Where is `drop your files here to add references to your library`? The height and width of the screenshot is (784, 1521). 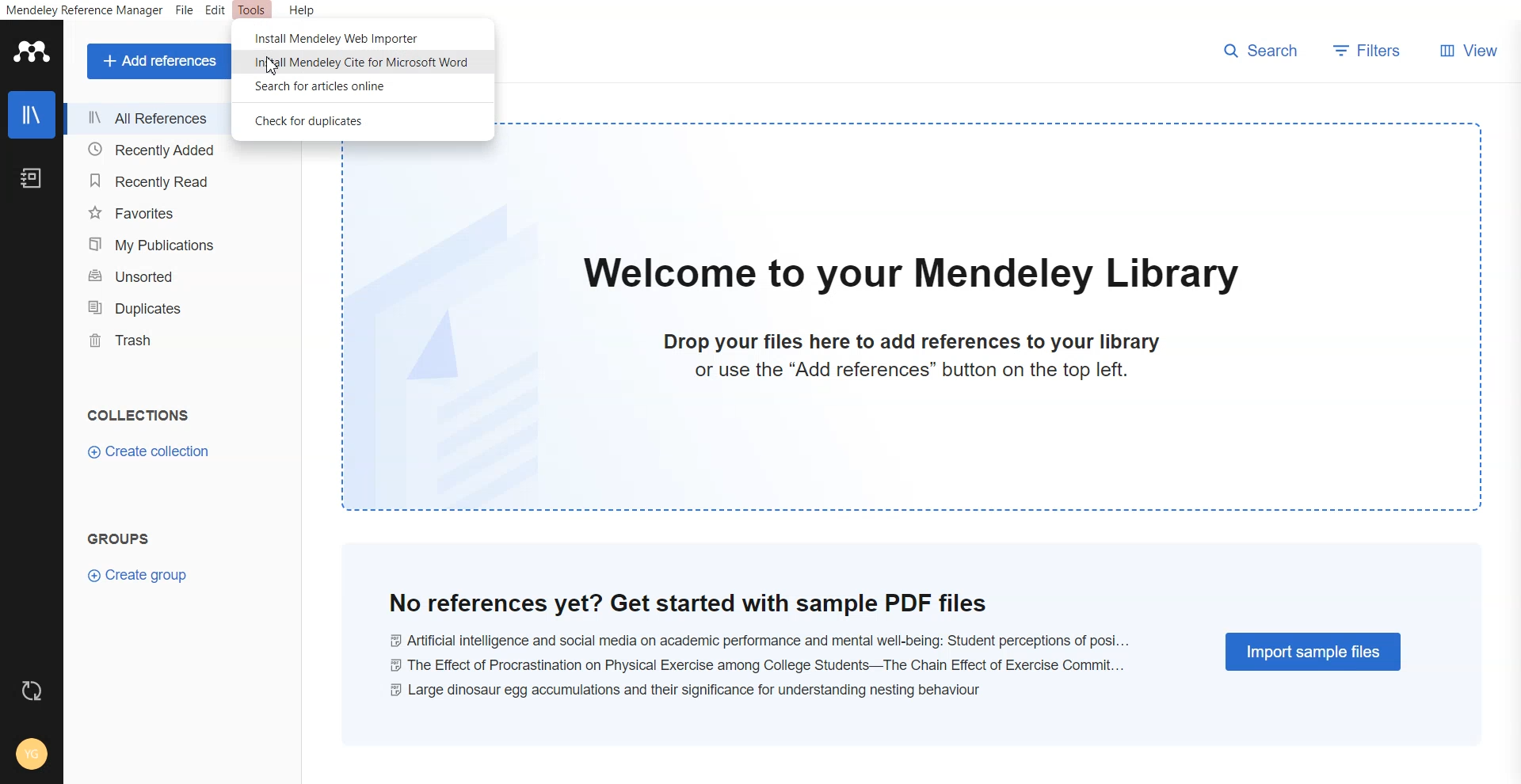
drop your files here to add references to your library is located at coordinates (913, 342).